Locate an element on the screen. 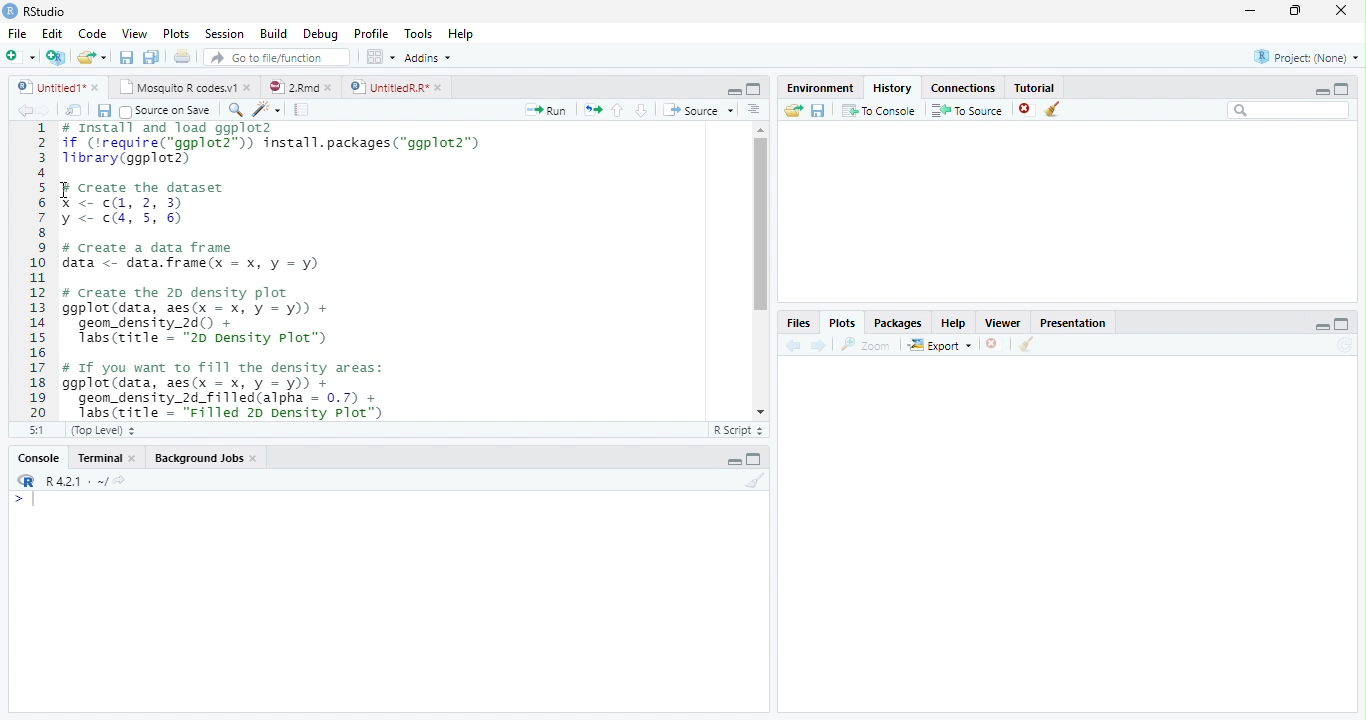  code tool is located at coordinates (267, 110).